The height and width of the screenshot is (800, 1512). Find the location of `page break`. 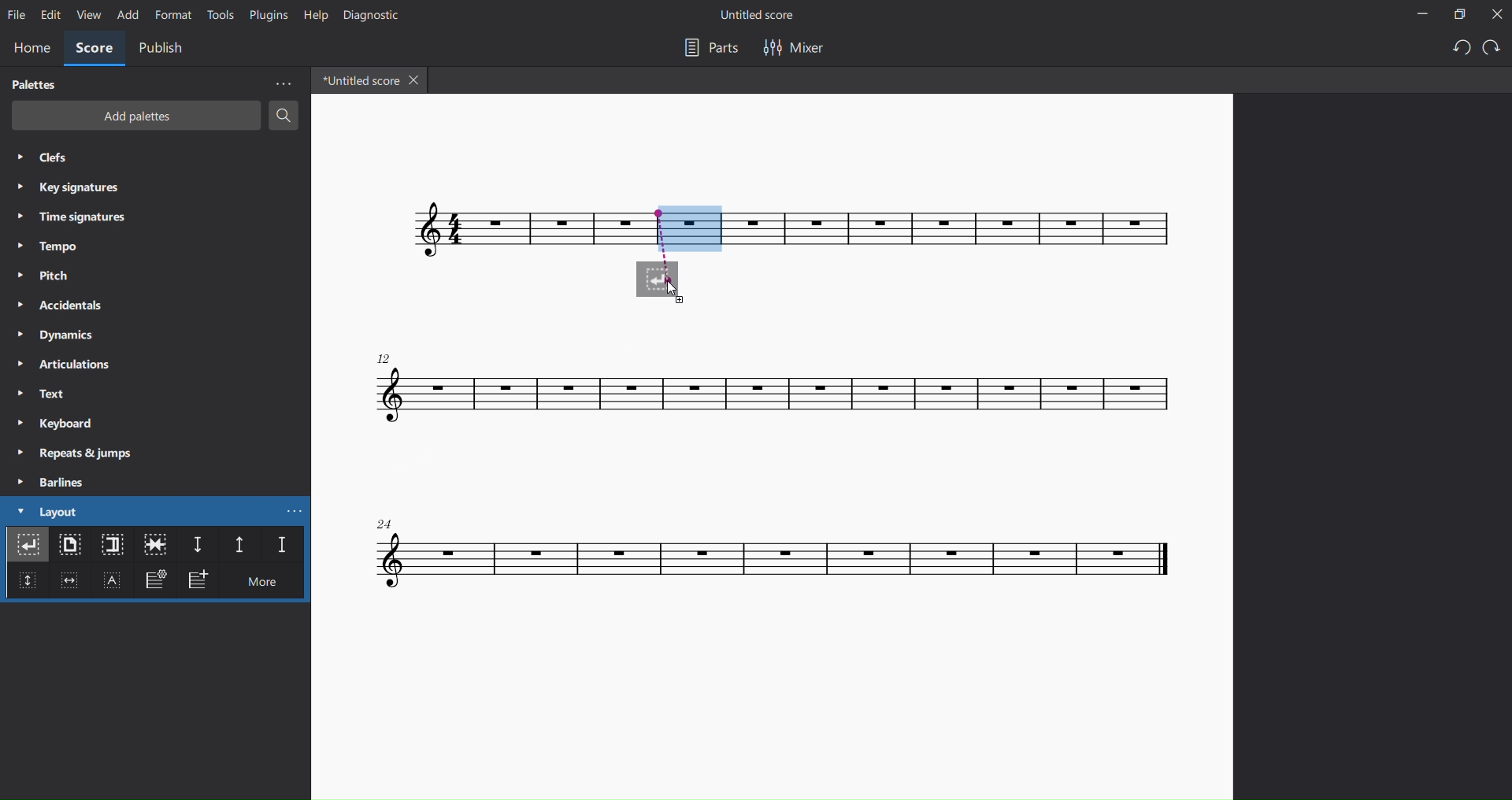

page break is located at coordinates (71, 547).